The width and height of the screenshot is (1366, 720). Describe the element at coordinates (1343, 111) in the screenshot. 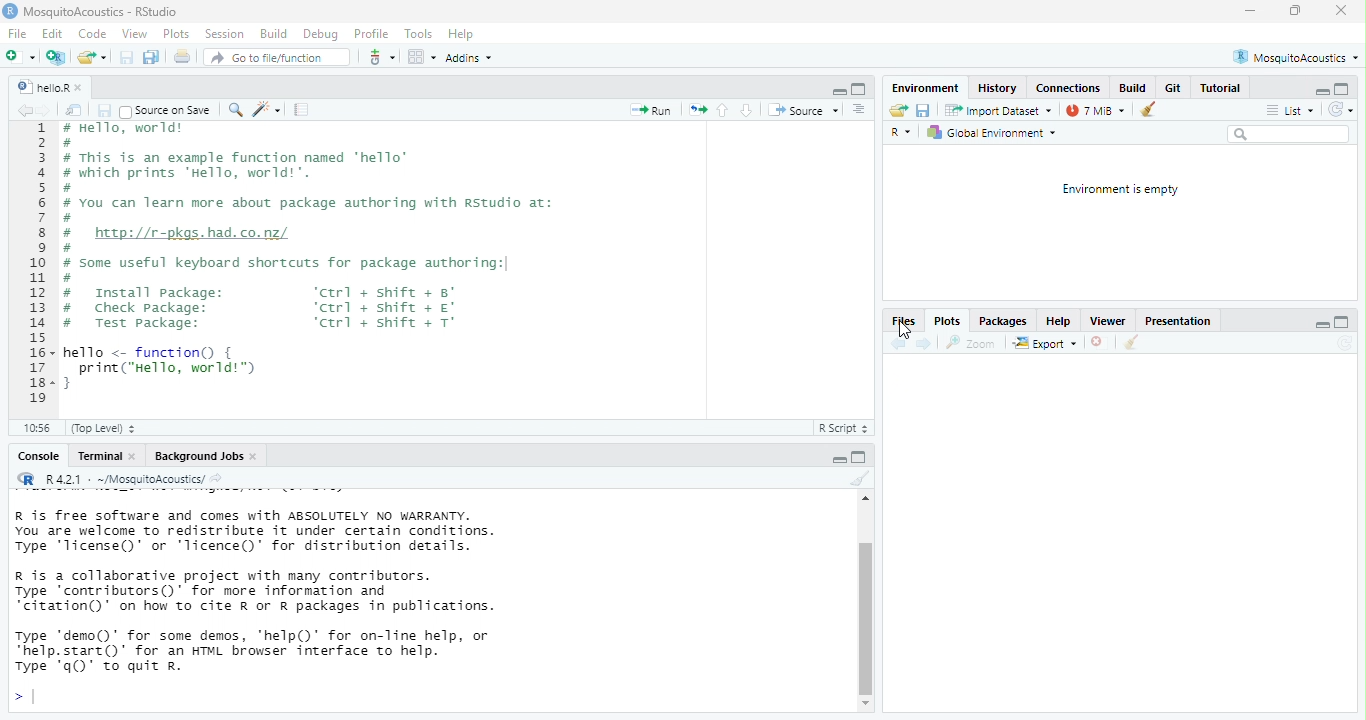

I see `refresh` at that location.